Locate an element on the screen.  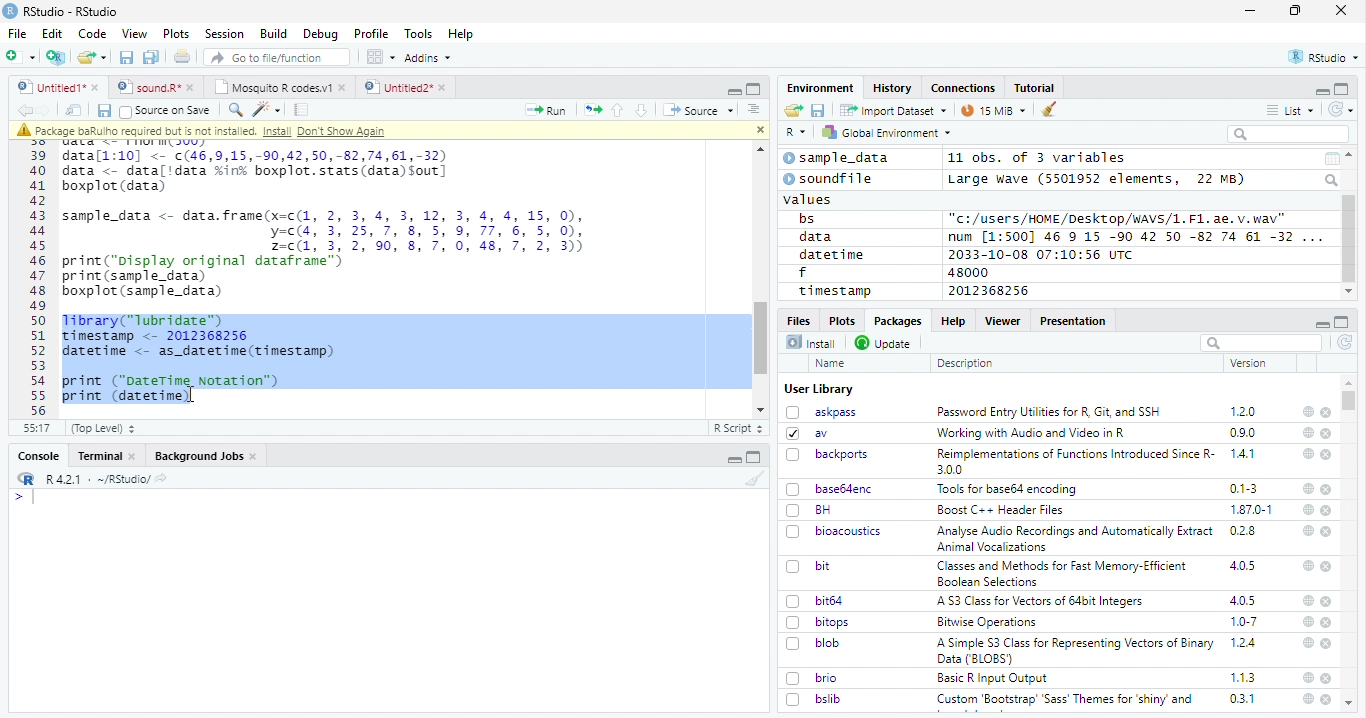
bit64 is located at coordinates (815, 601).